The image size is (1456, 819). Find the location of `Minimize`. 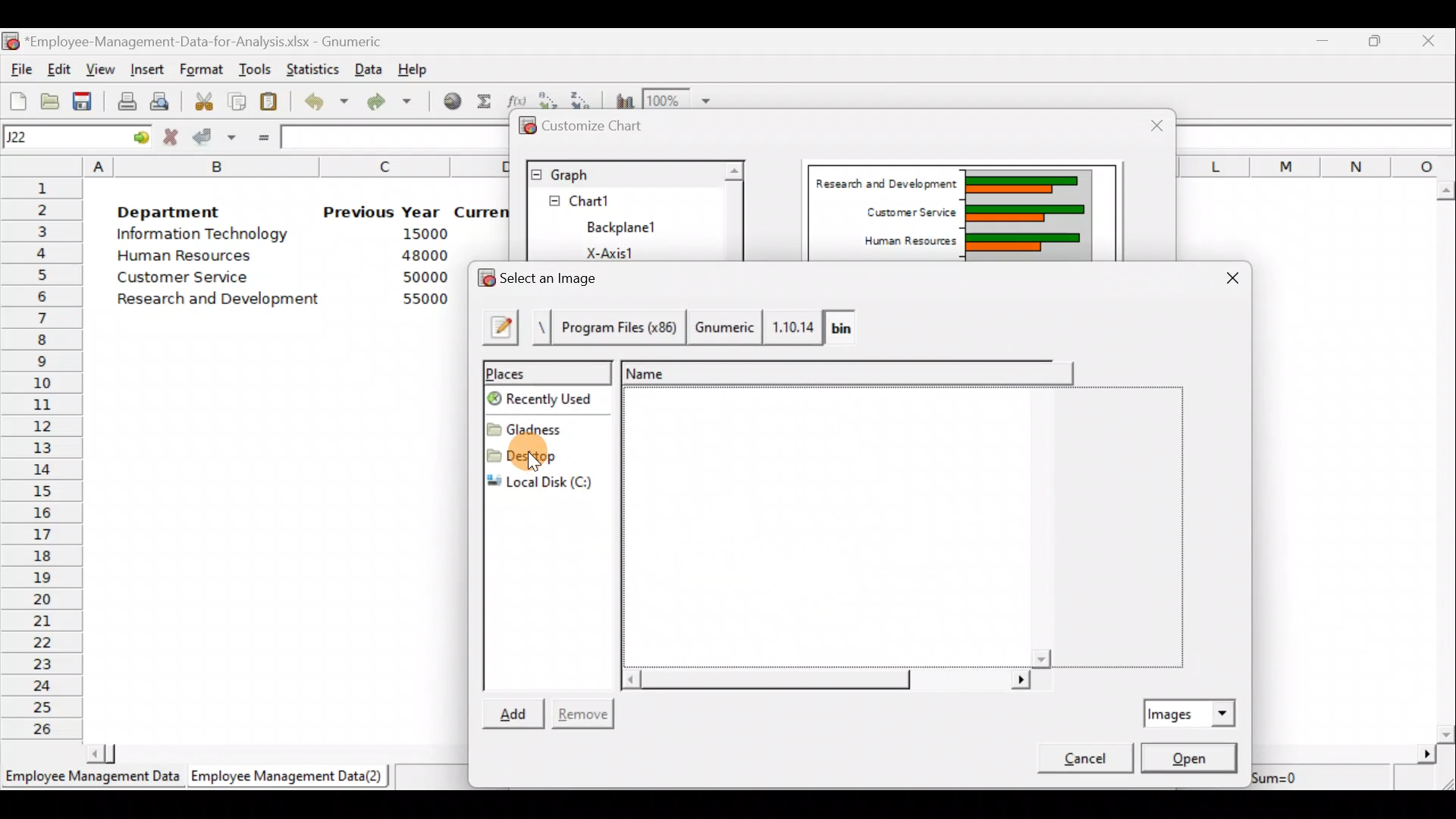

Minimize is located at coordinates (1324, 42).